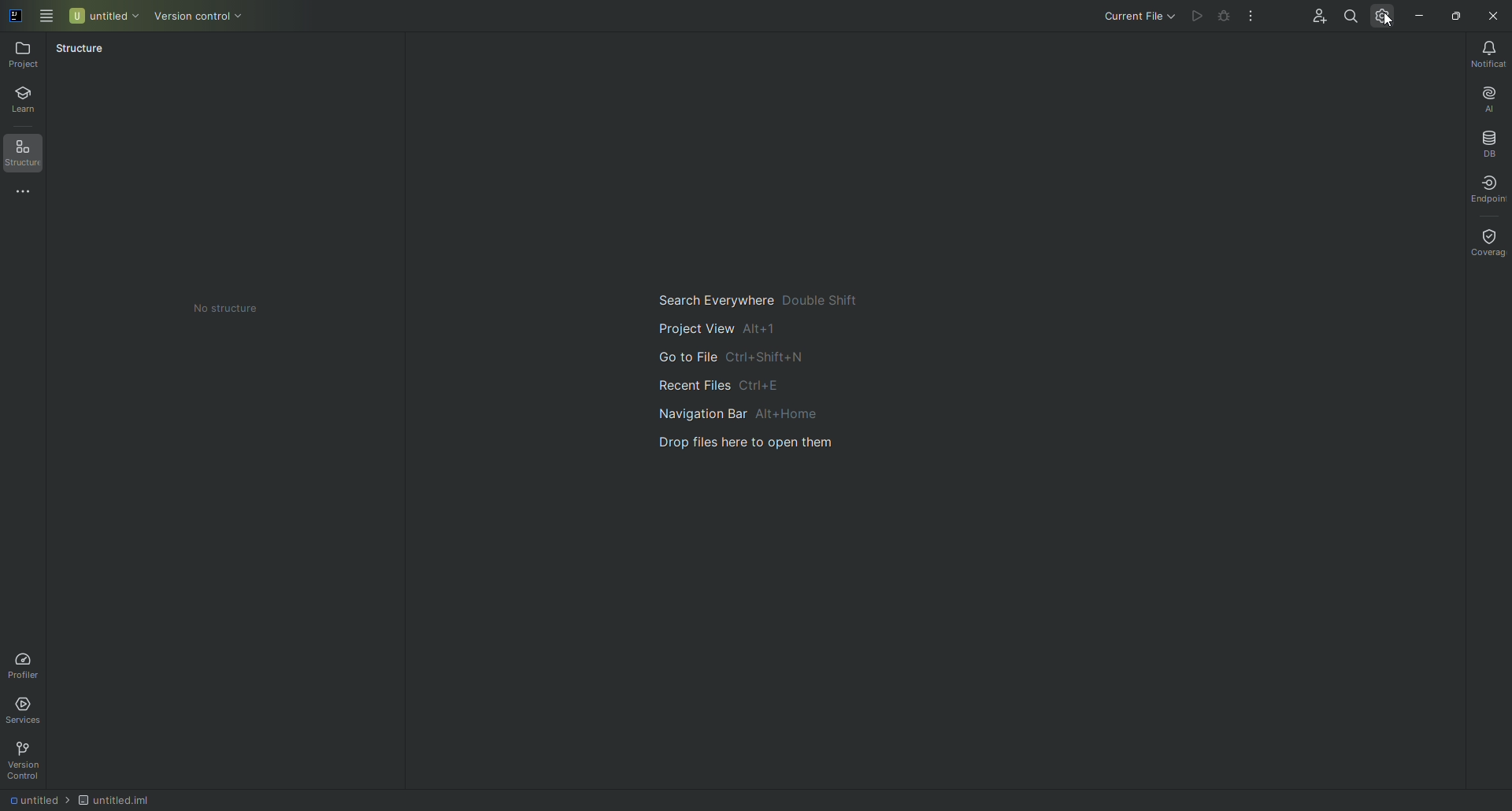 The image size is (1512, 811). What do you see at coordinates (229, 308) in the screenshot?
I see `No Structure` at bounding box center [229, 308].